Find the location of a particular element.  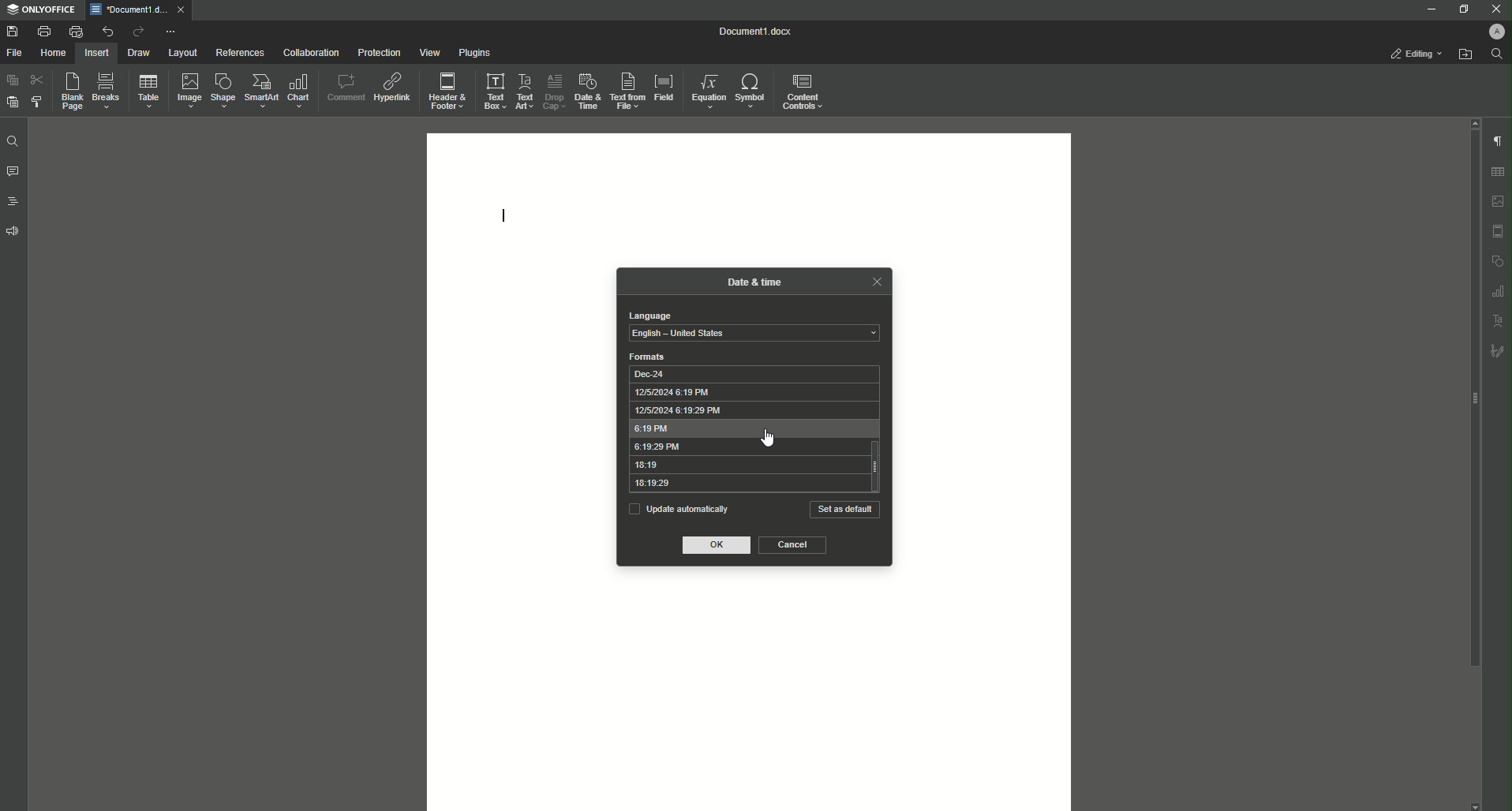

Text Box is located at coordinates (494, 90).